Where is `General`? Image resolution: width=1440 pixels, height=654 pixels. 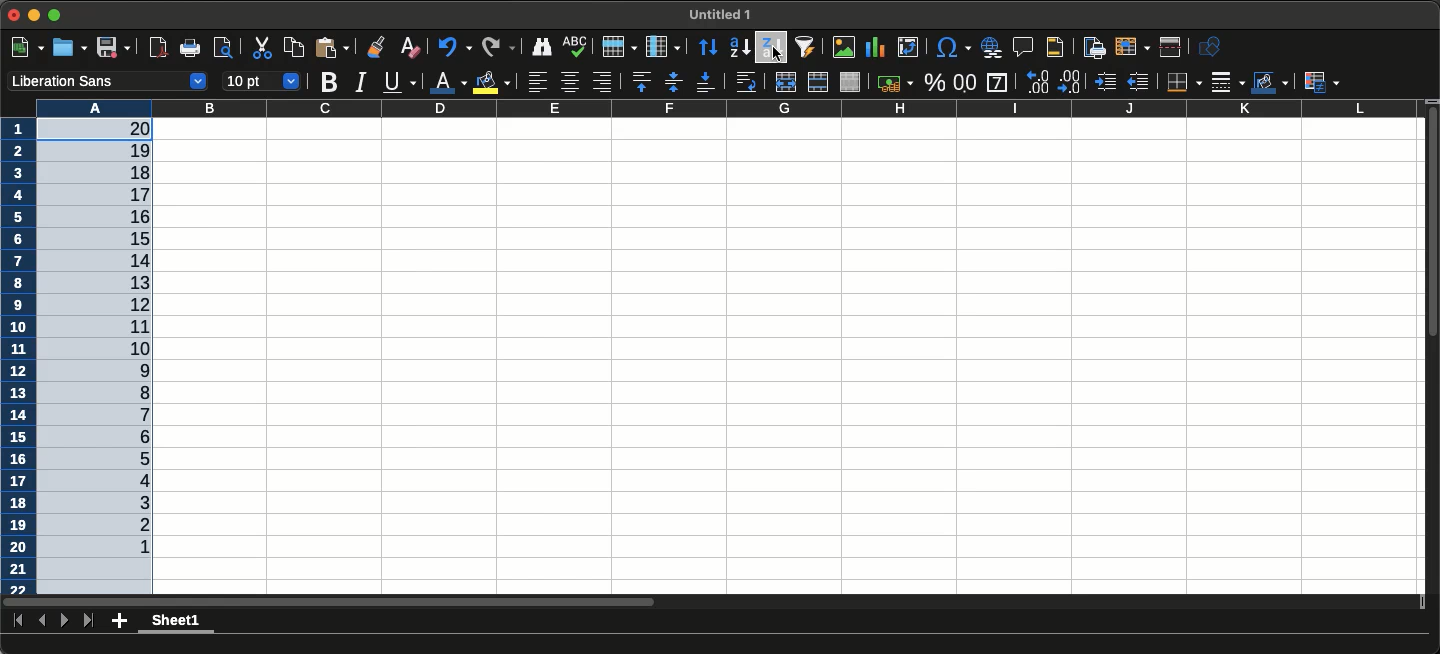
General is located at coordinates (997, 82).